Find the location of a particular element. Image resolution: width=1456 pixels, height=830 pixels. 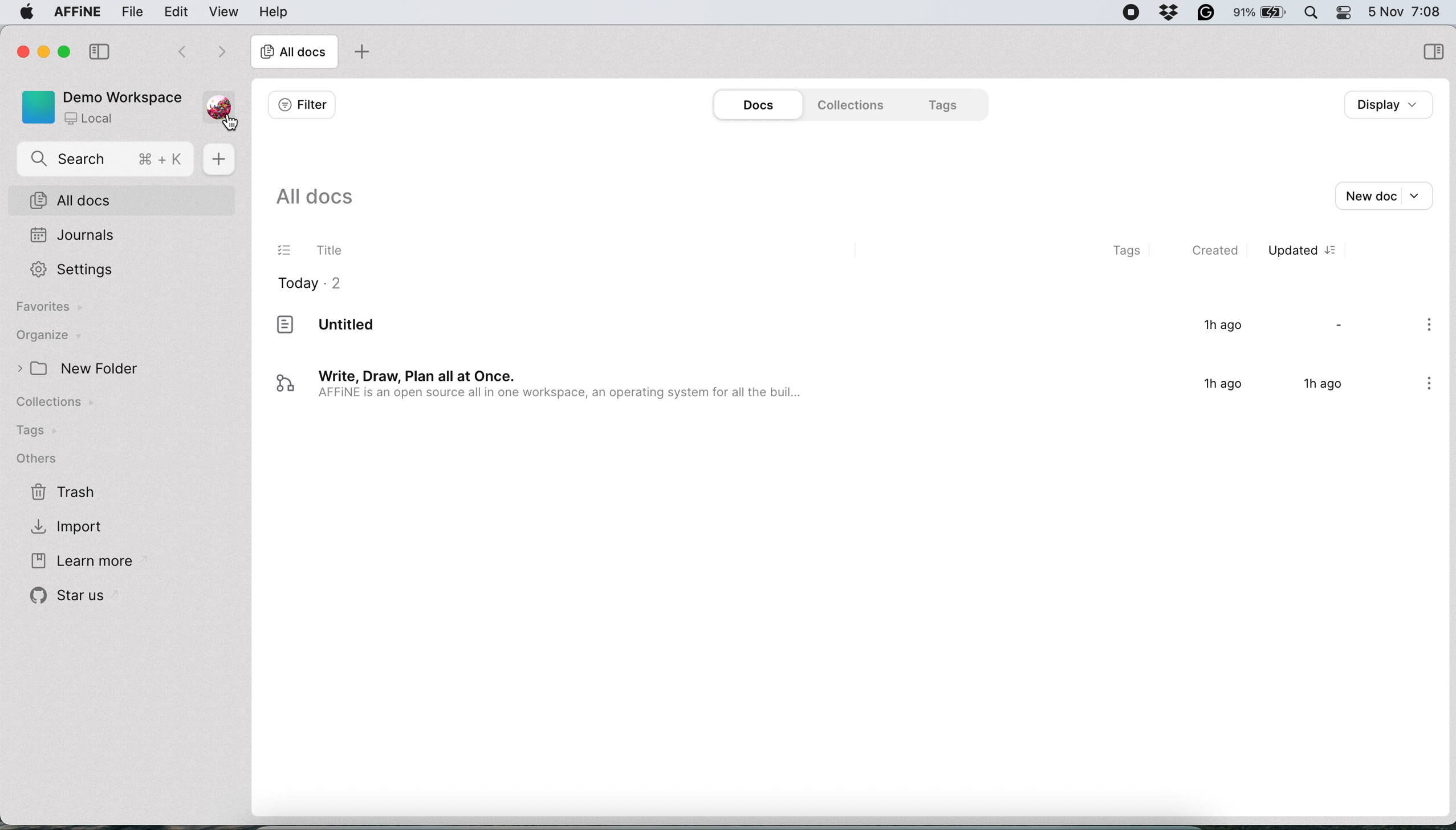

sidebar is located at coordinates (1431, 50).